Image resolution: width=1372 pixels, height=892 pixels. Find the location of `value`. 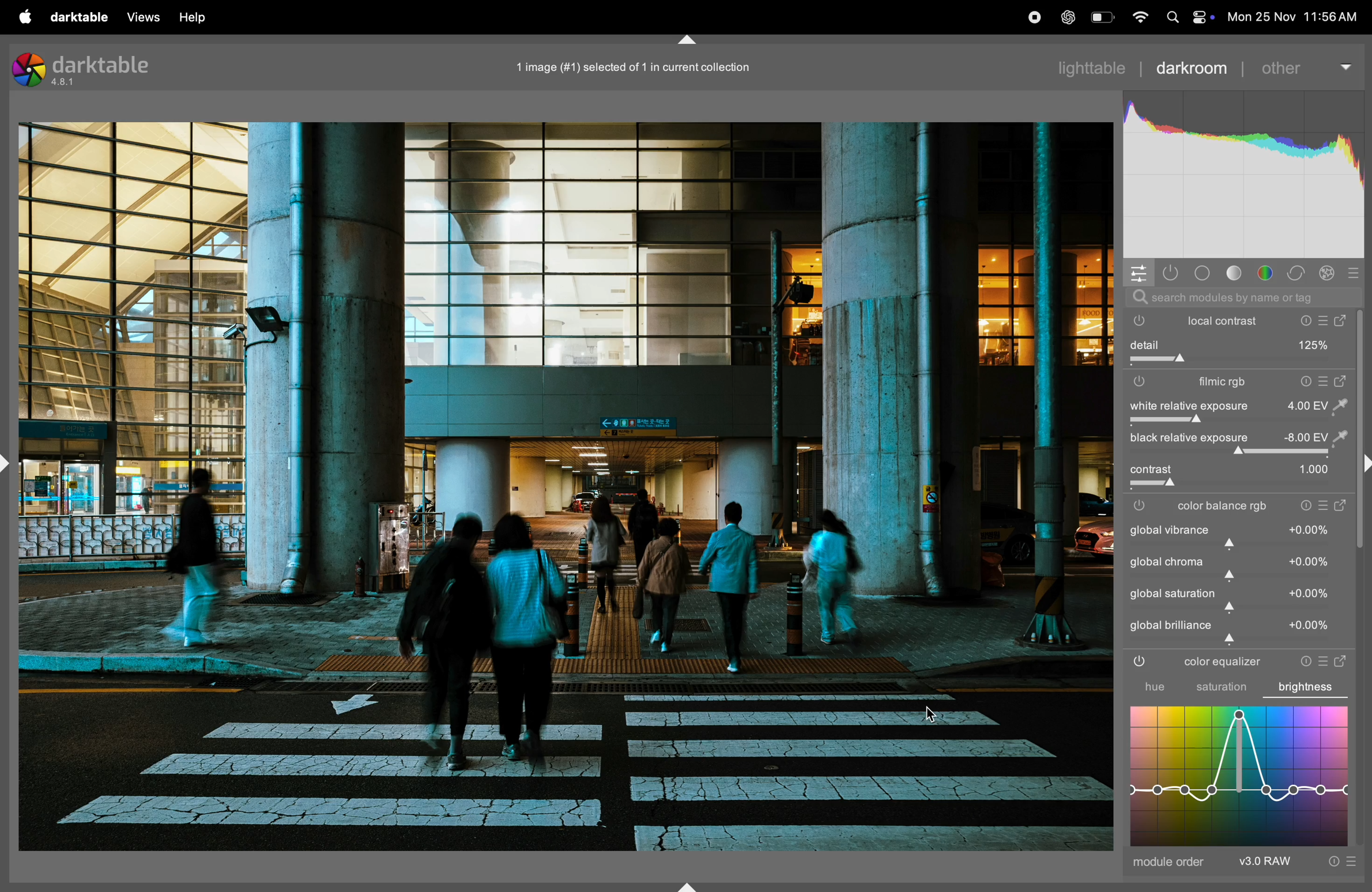

value is located at coordinates (1310, 561).